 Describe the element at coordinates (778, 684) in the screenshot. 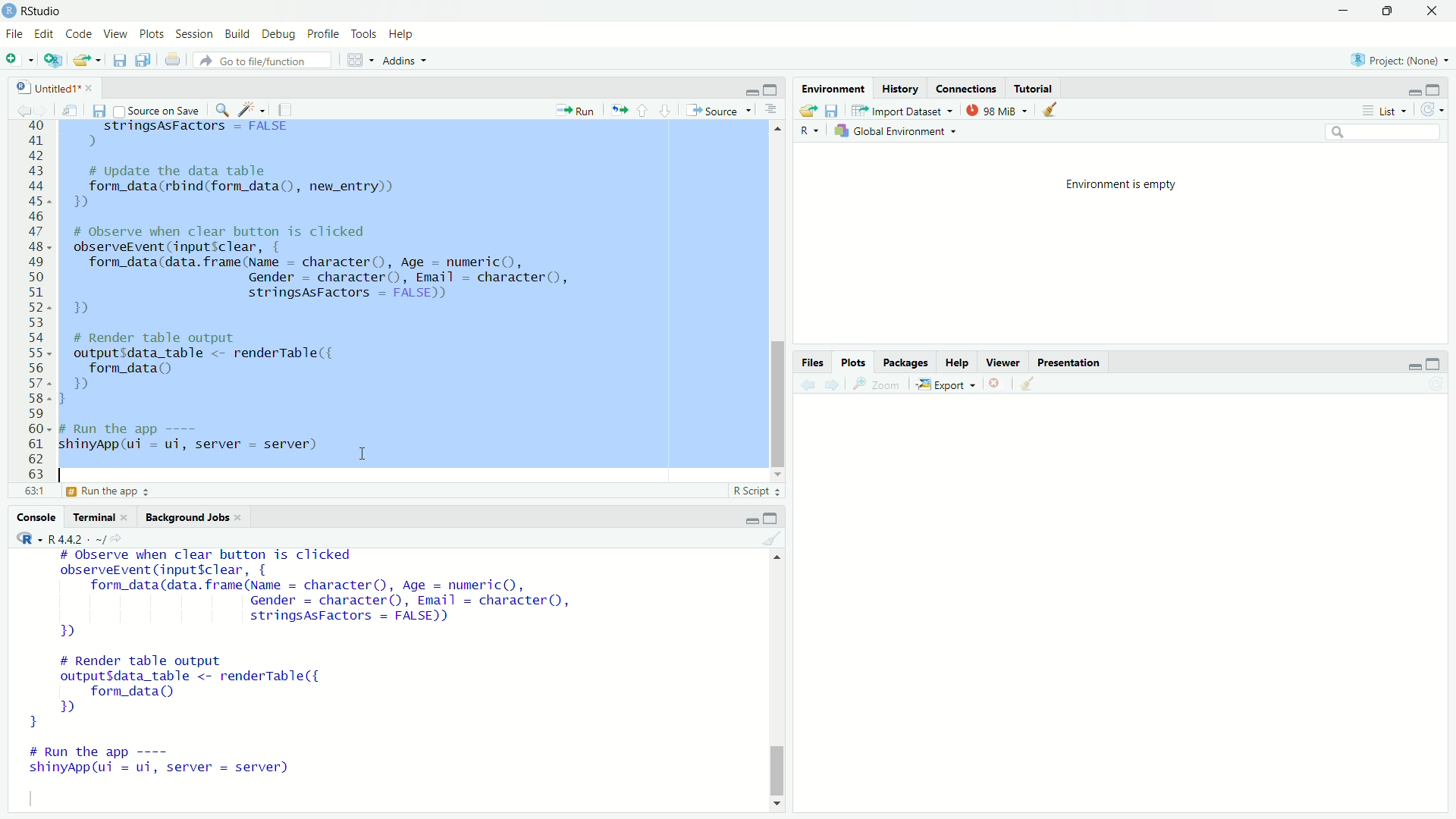

I see `scrollbar` at that location.